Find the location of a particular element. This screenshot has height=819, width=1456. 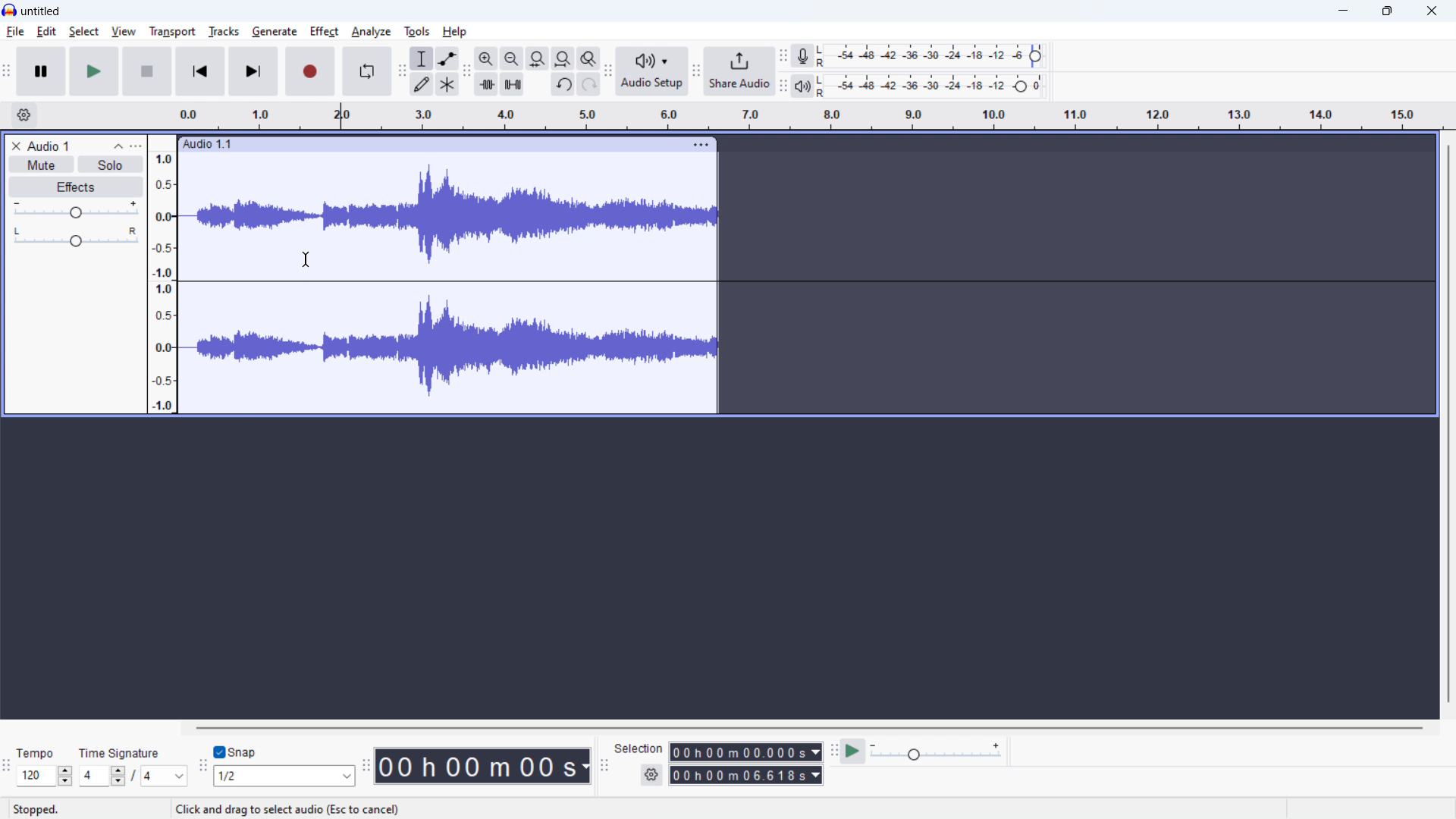

Stopped is located at coordinates (41, 809).